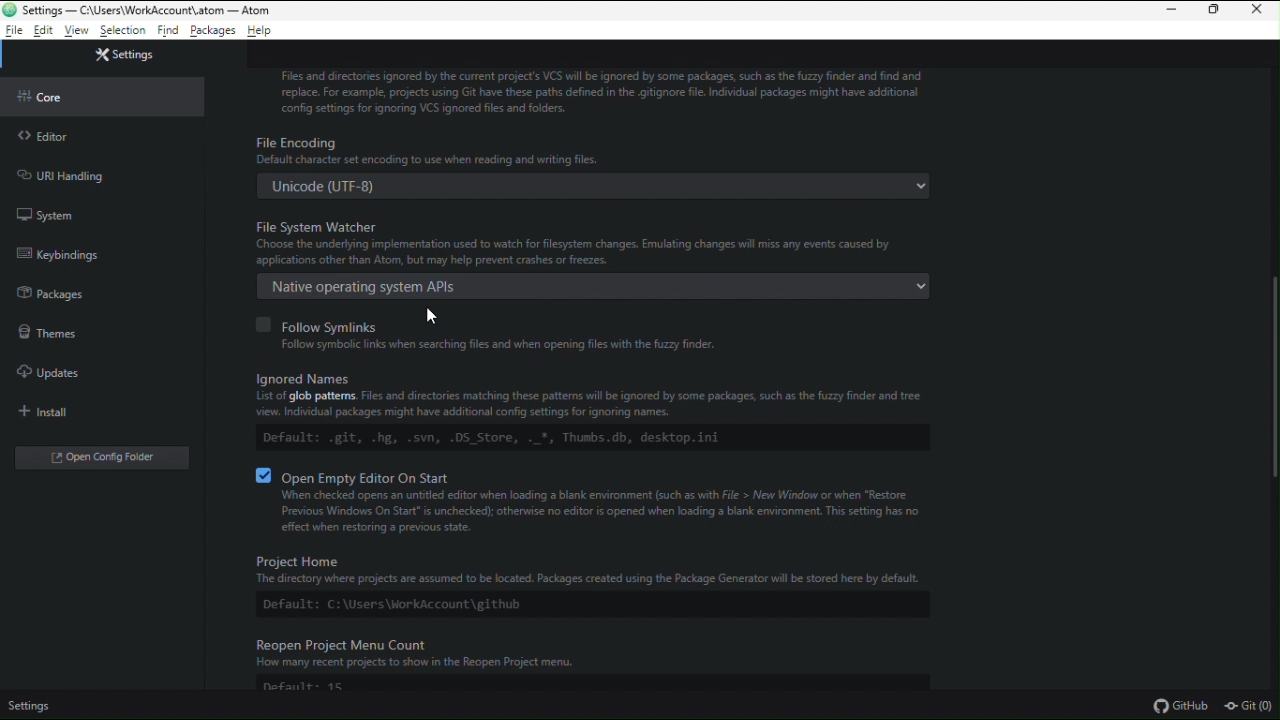 The height and width of the screenshot is (720, 1280). What do you see at coordinates (123, 32) in the screenshot?
I see `Selection` at bounding box center [123, 32].